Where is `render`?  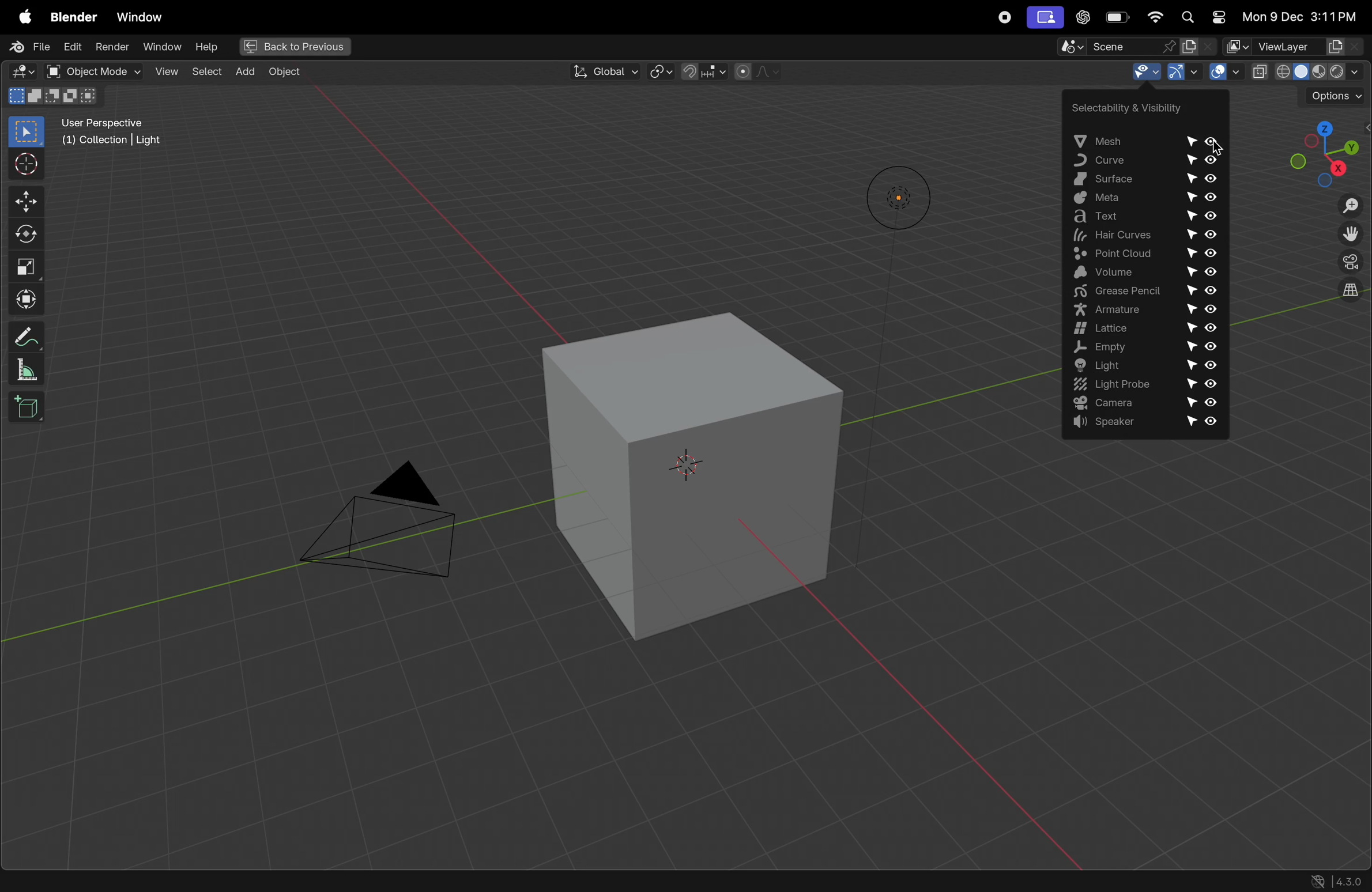 render is located at coordinates (111, 49).